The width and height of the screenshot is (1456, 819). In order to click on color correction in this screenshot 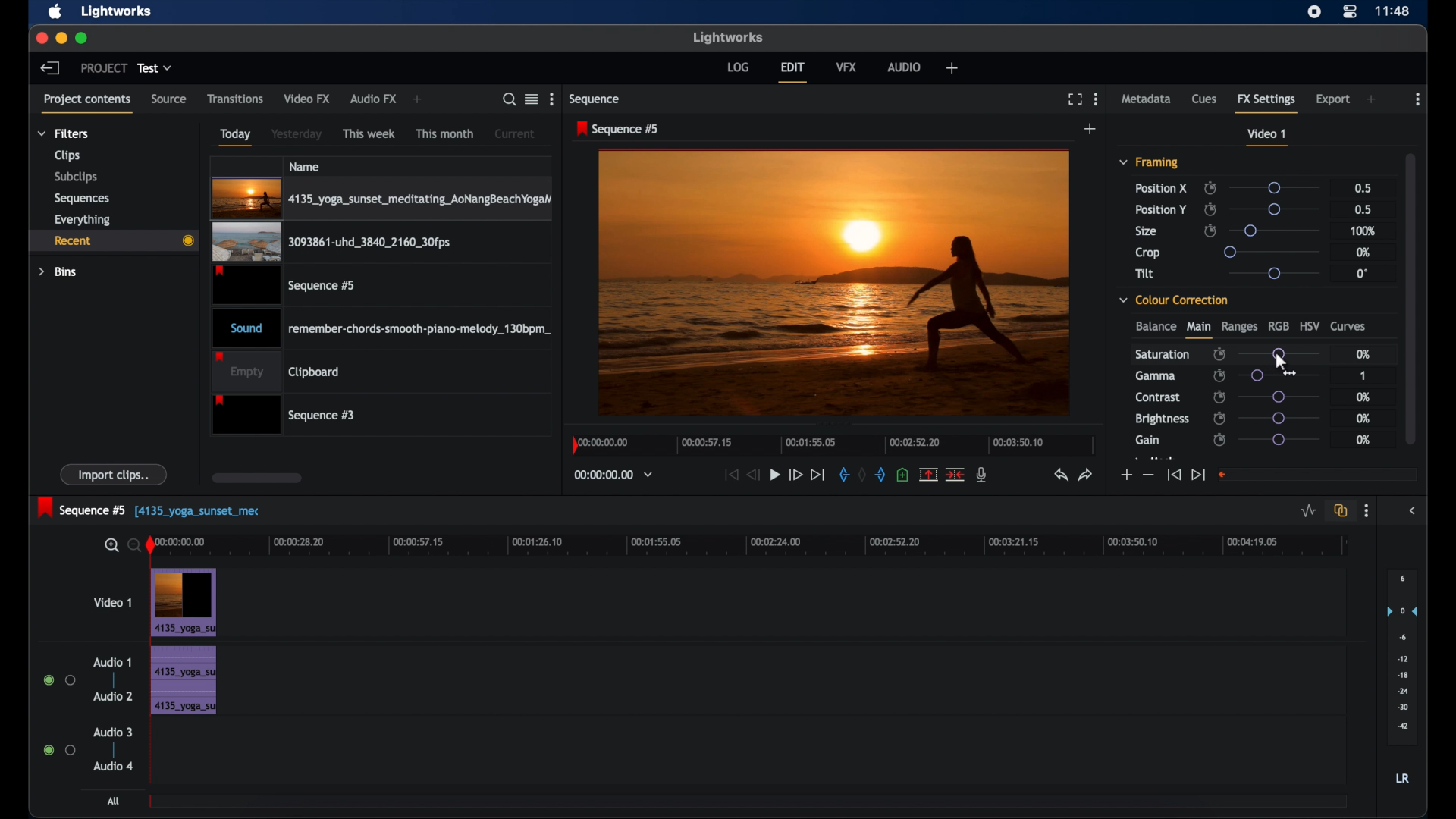, I will do `click(1175, 299)`.